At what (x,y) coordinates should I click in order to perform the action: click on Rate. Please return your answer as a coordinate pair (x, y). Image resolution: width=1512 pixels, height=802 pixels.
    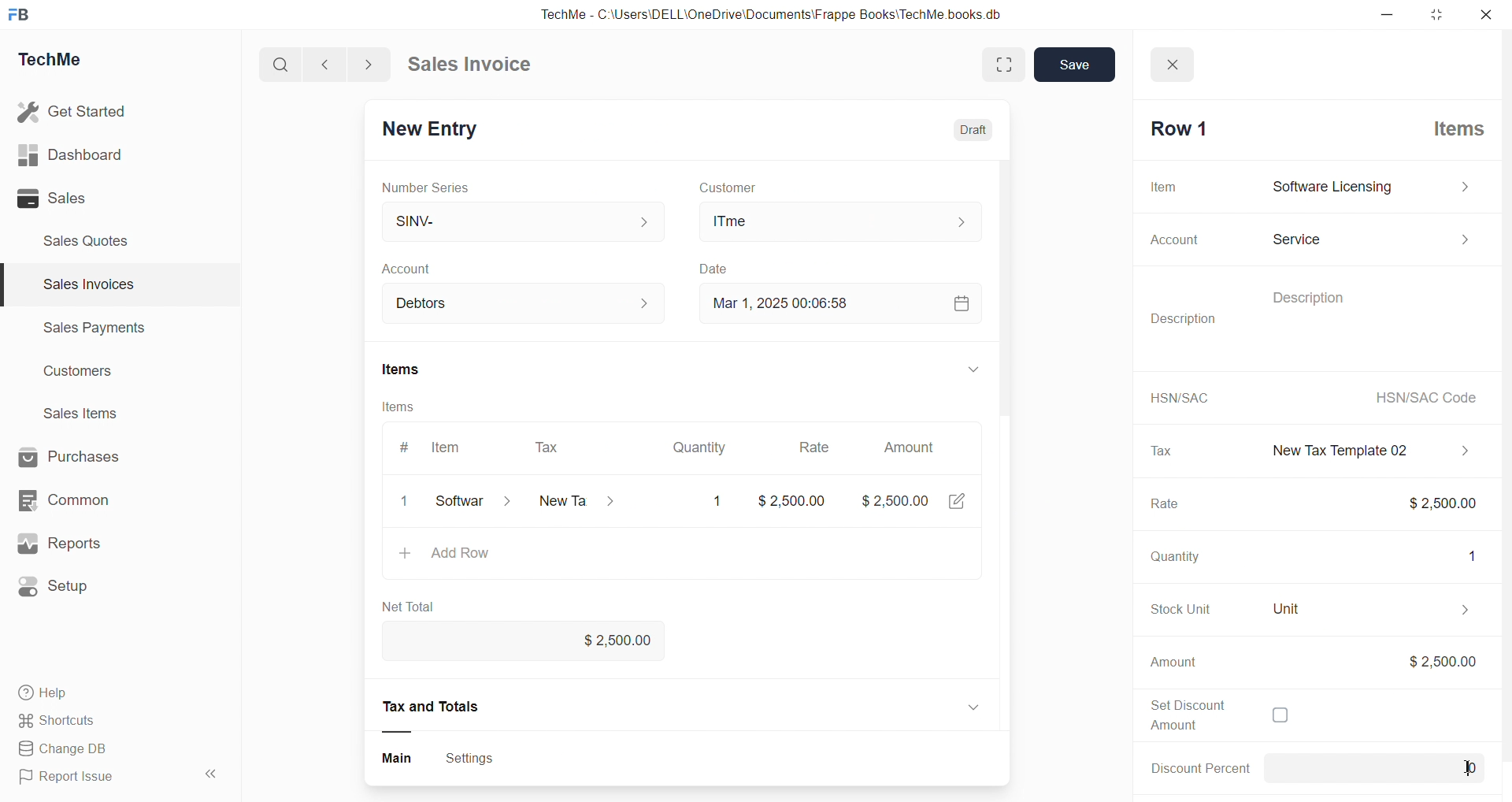
    Looking at the image, I should click on (1160, 506).